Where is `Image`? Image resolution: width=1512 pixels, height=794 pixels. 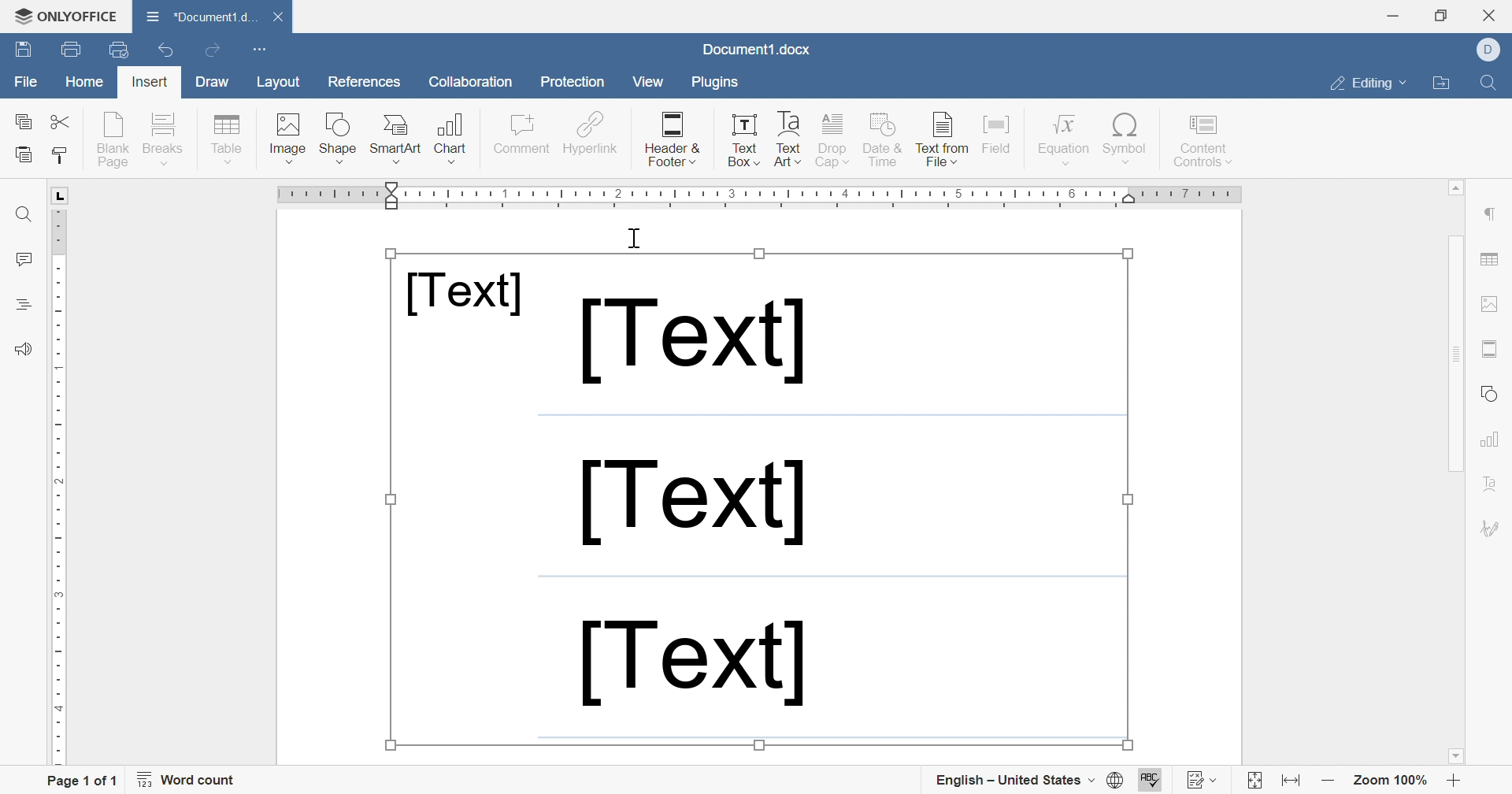
Image is located at coordinates (290, 139).